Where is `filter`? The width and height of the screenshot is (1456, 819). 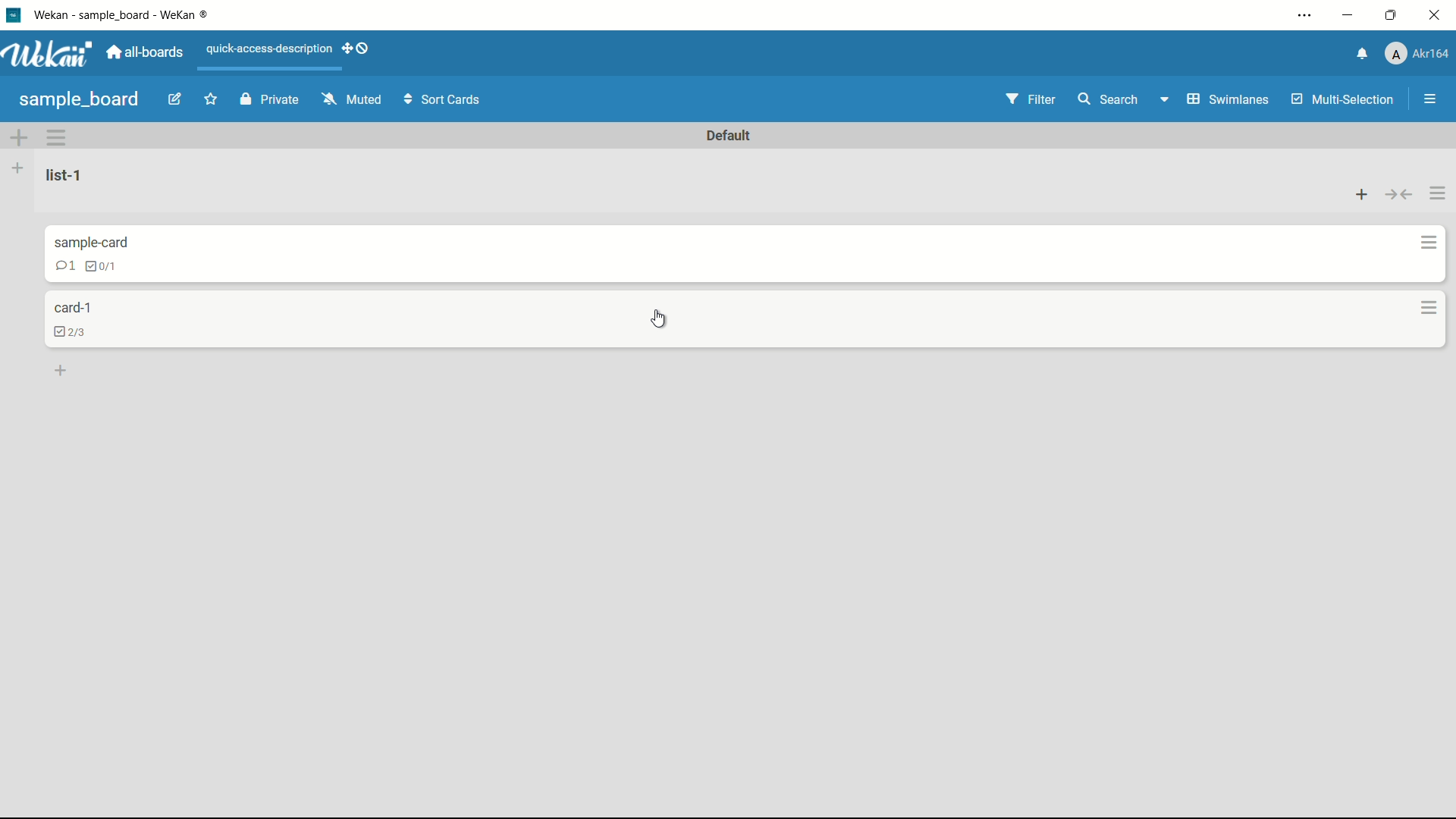 filter is located at coordinates (1026, 99).